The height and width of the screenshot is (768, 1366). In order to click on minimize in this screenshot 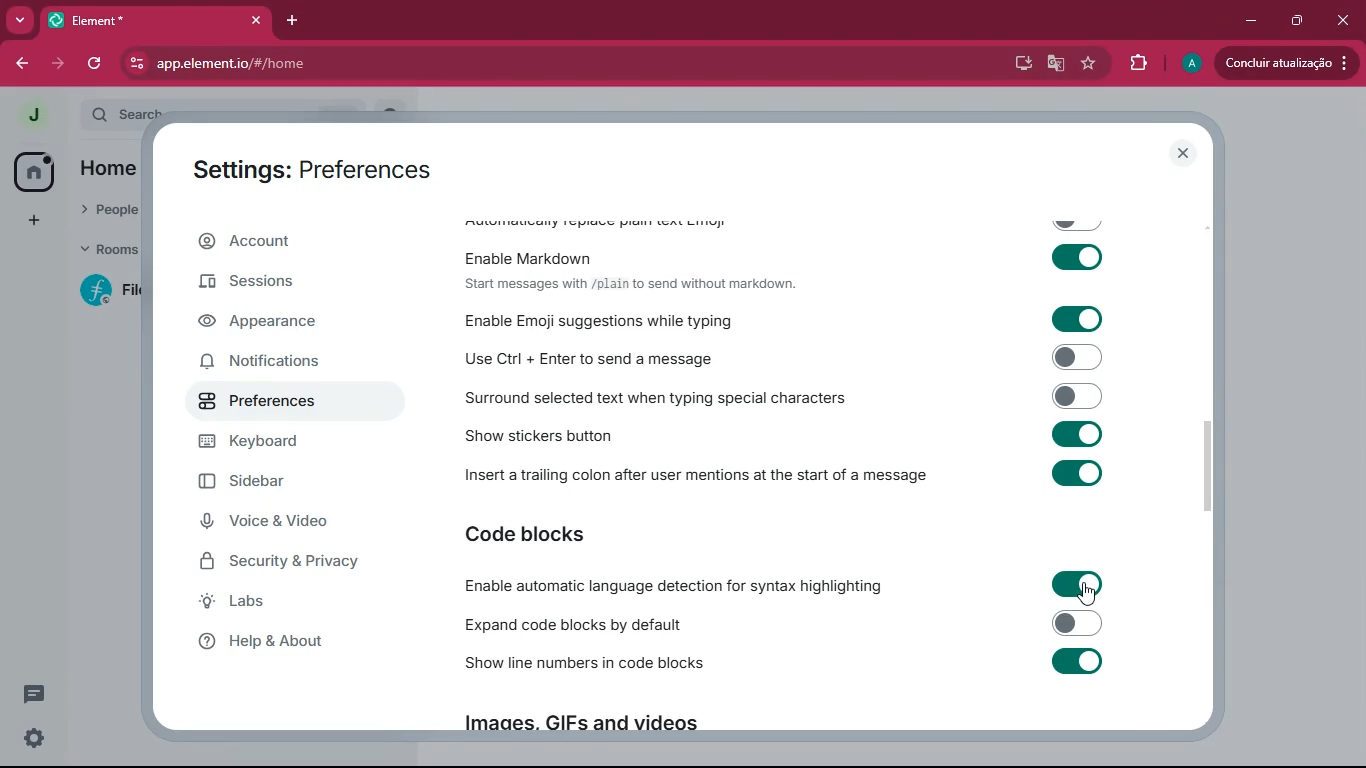, I will do `click(1248, 20)`.